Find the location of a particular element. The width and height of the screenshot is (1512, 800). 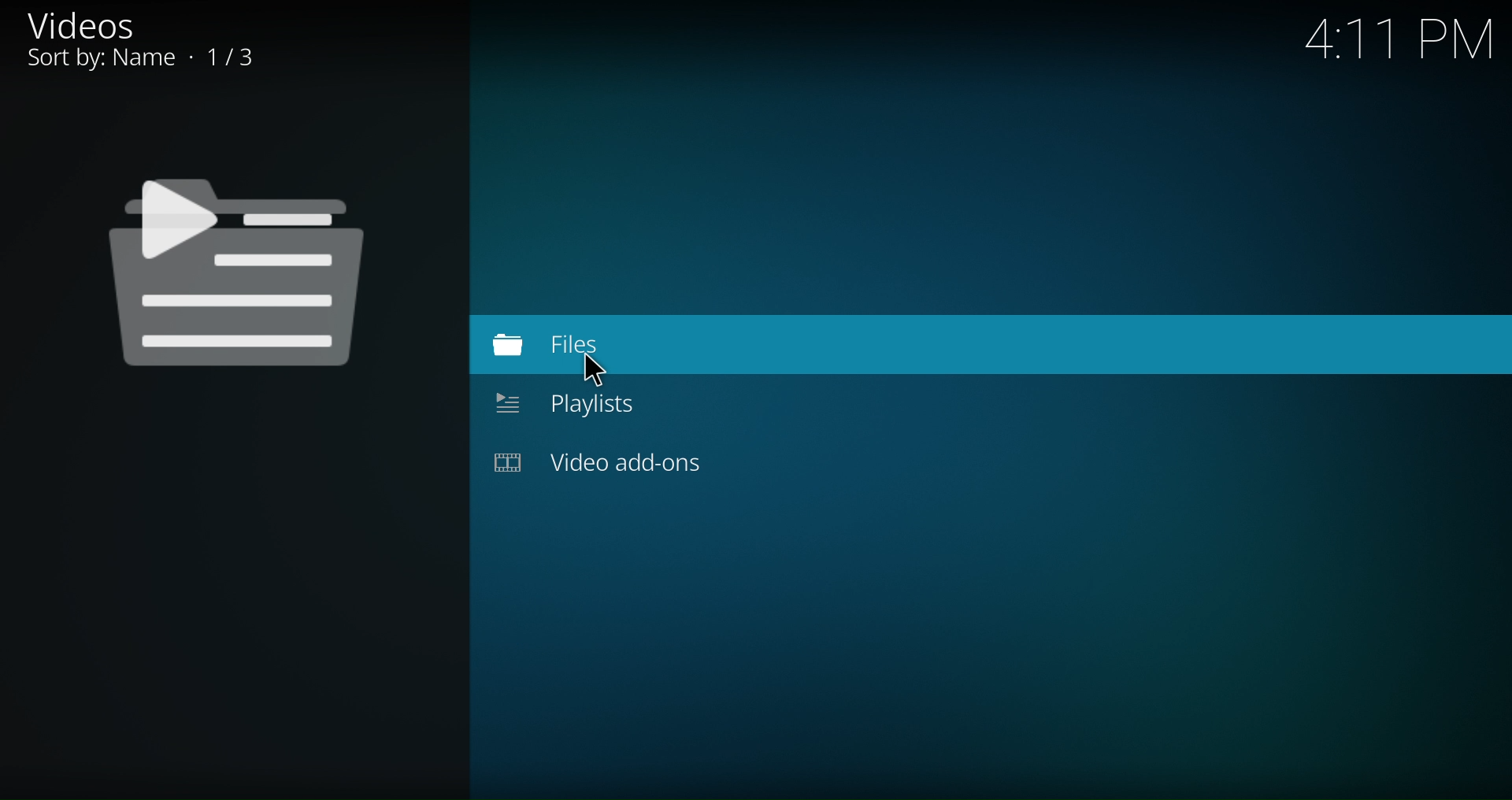

Pointer cursor is located at coordinates (604, 372).